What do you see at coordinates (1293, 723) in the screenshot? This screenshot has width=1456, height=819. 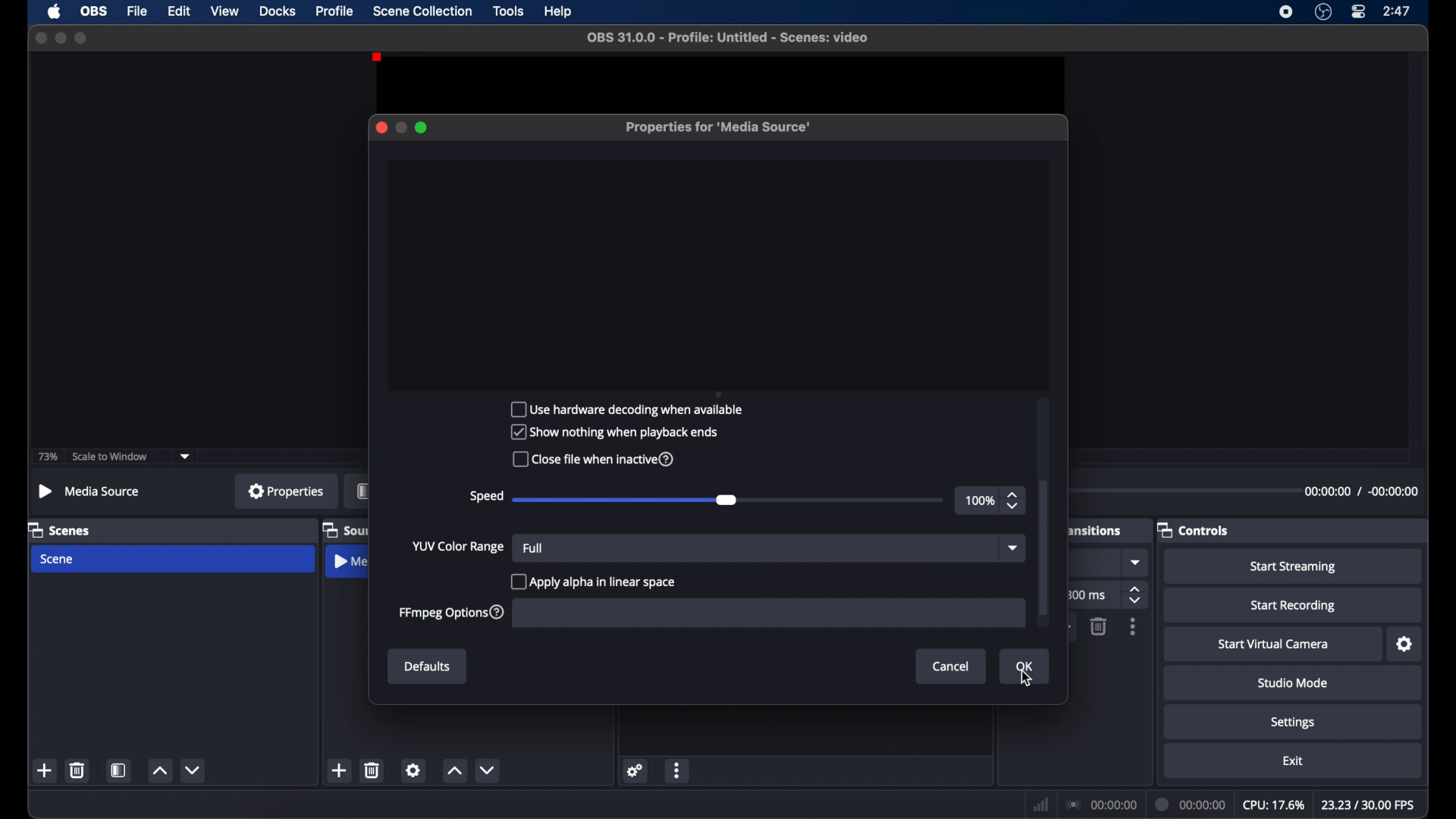 I see `settings` at bounding box center [1293, 723].